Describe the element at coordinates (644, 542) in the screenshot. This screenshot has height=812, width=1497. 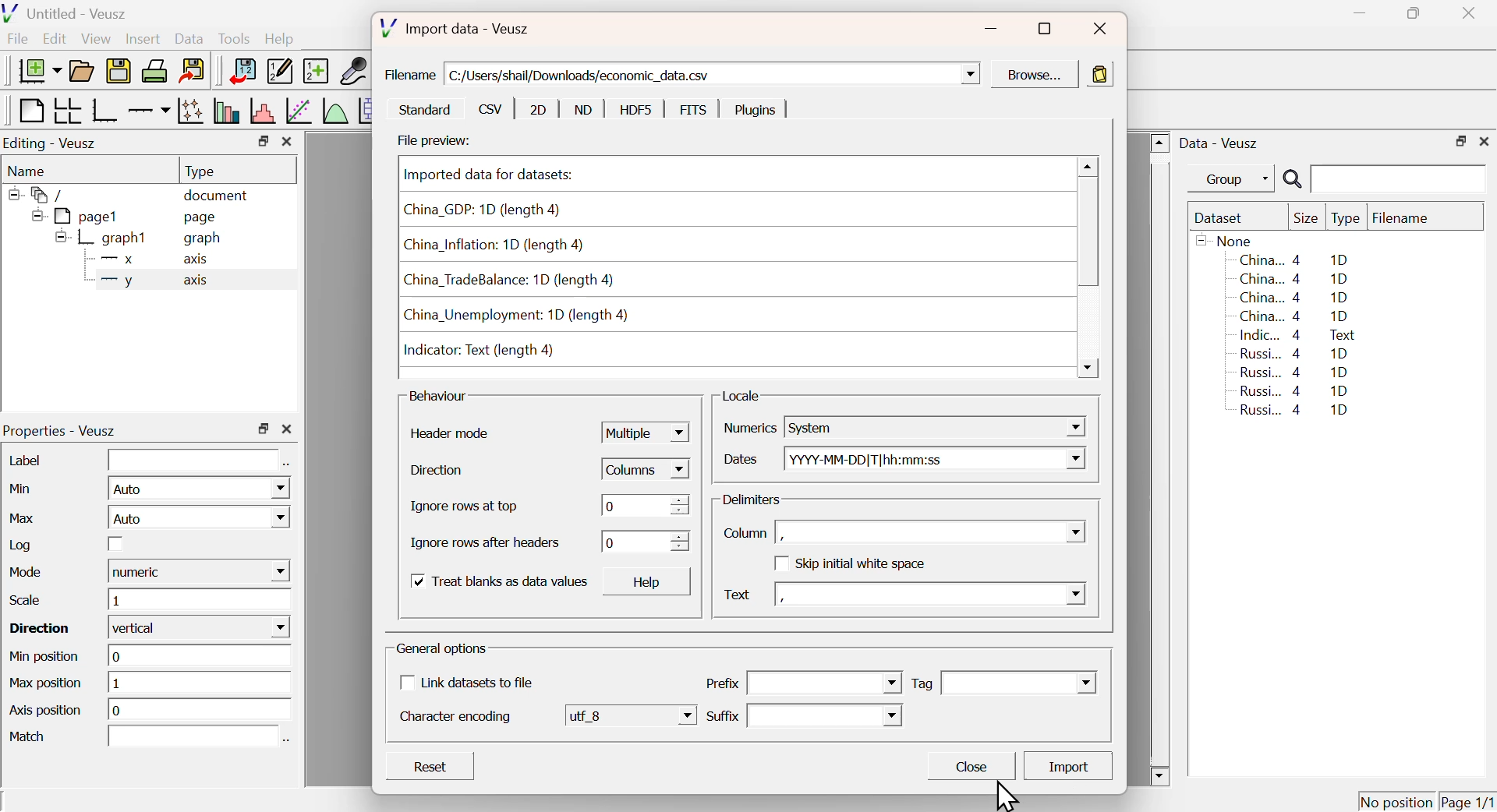
I see `0` at that location.